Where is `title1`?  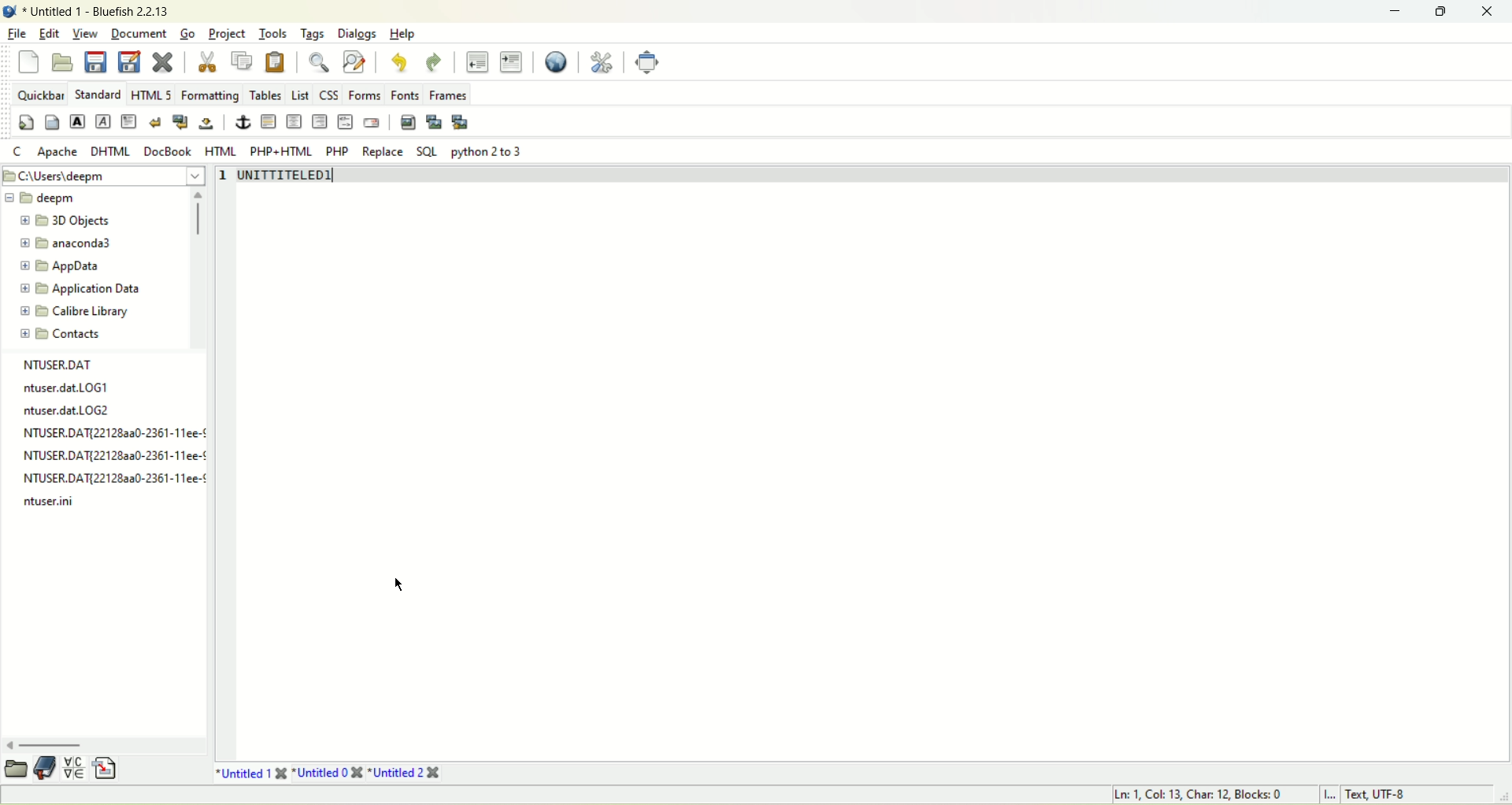 title1 is located at coordinates (251, 770).